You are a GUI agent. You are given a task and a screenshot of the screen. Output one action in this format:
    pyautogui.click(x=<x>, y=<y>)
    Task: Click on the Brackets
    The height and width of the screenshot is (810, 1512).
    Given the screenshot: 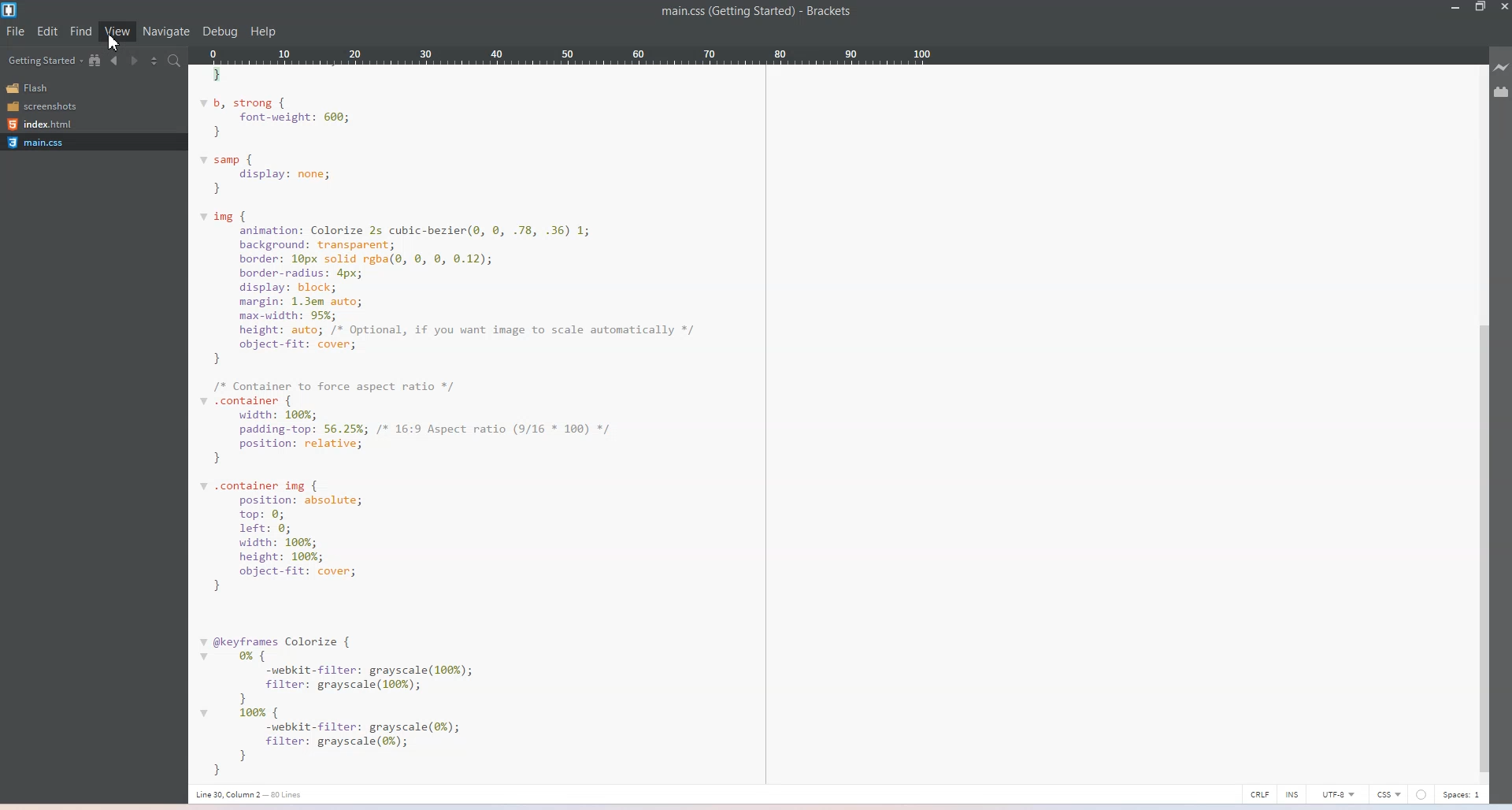 What is the action you would take?
    pyautogui.click(x=828, y=12)
    